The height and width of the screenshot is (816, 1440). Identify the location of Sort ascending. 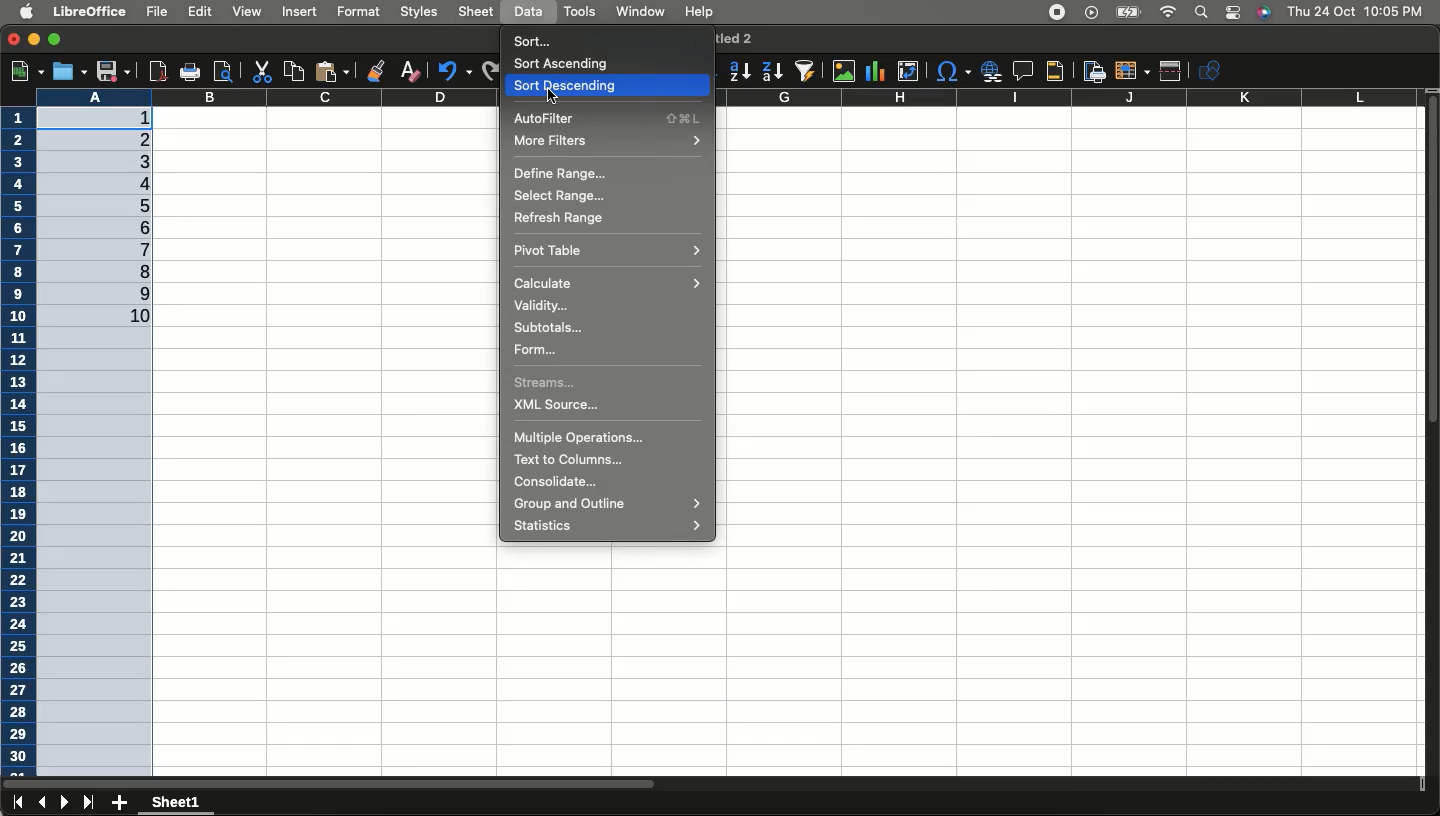
(567, 64).